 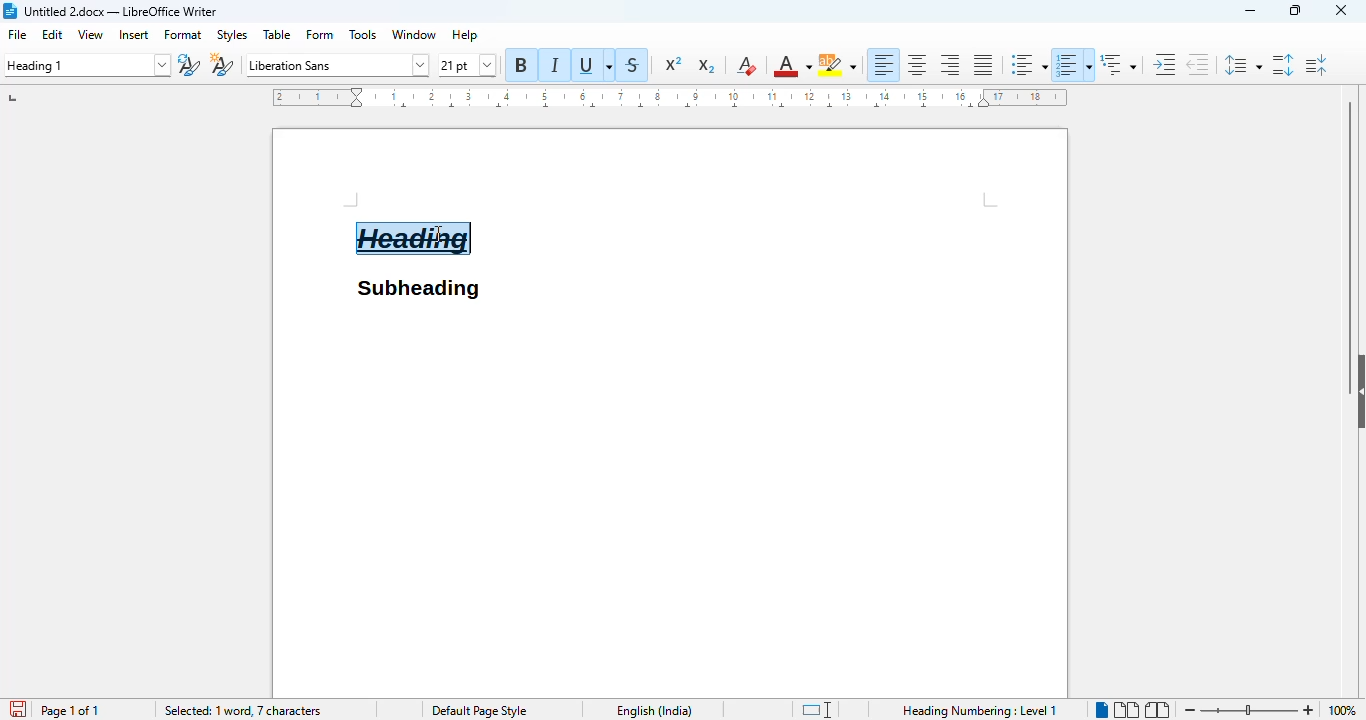 I want to click on table, so click(x=278, y=34).